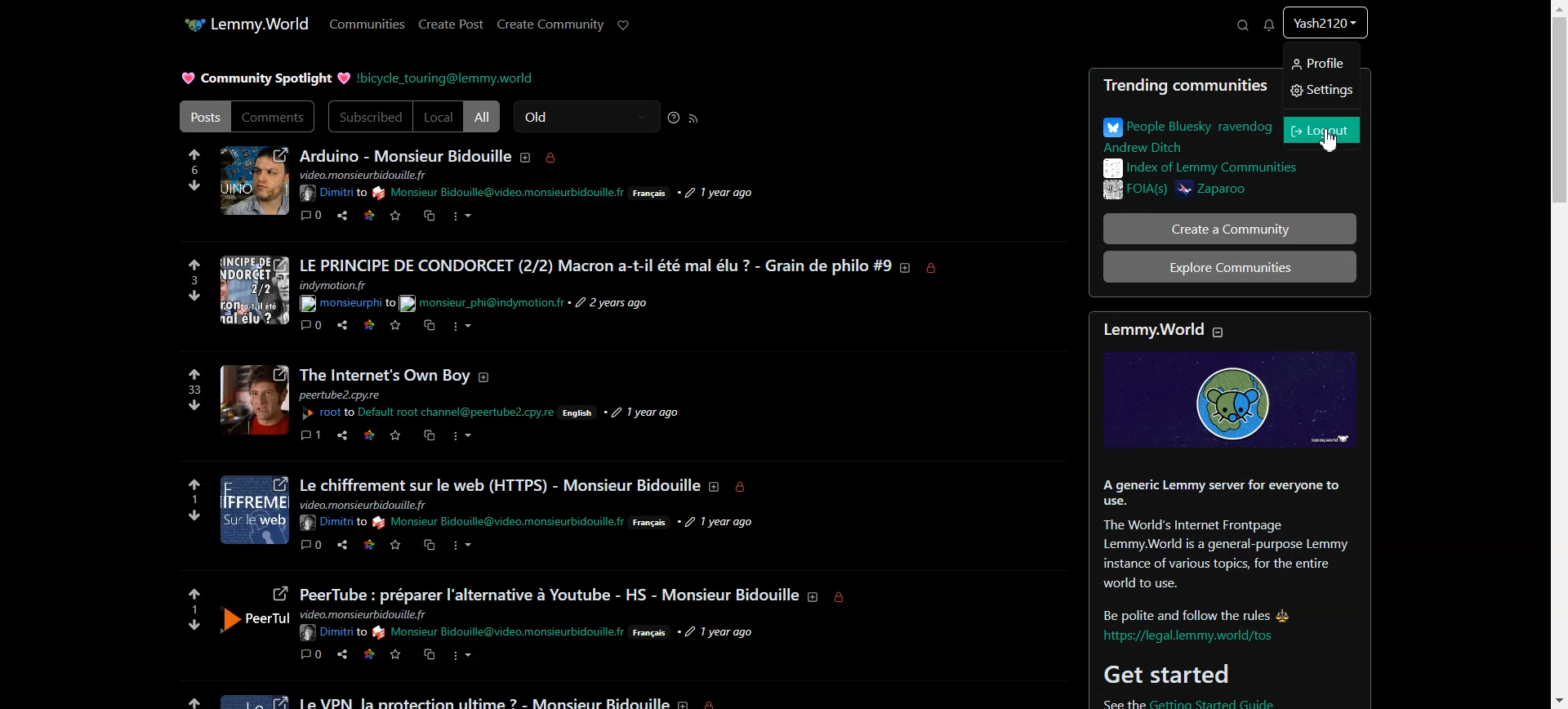 This screenshot has width=1568, height=709. Describe the element at coordinates (372, 435) in the screenshot. I see `link` at that location.